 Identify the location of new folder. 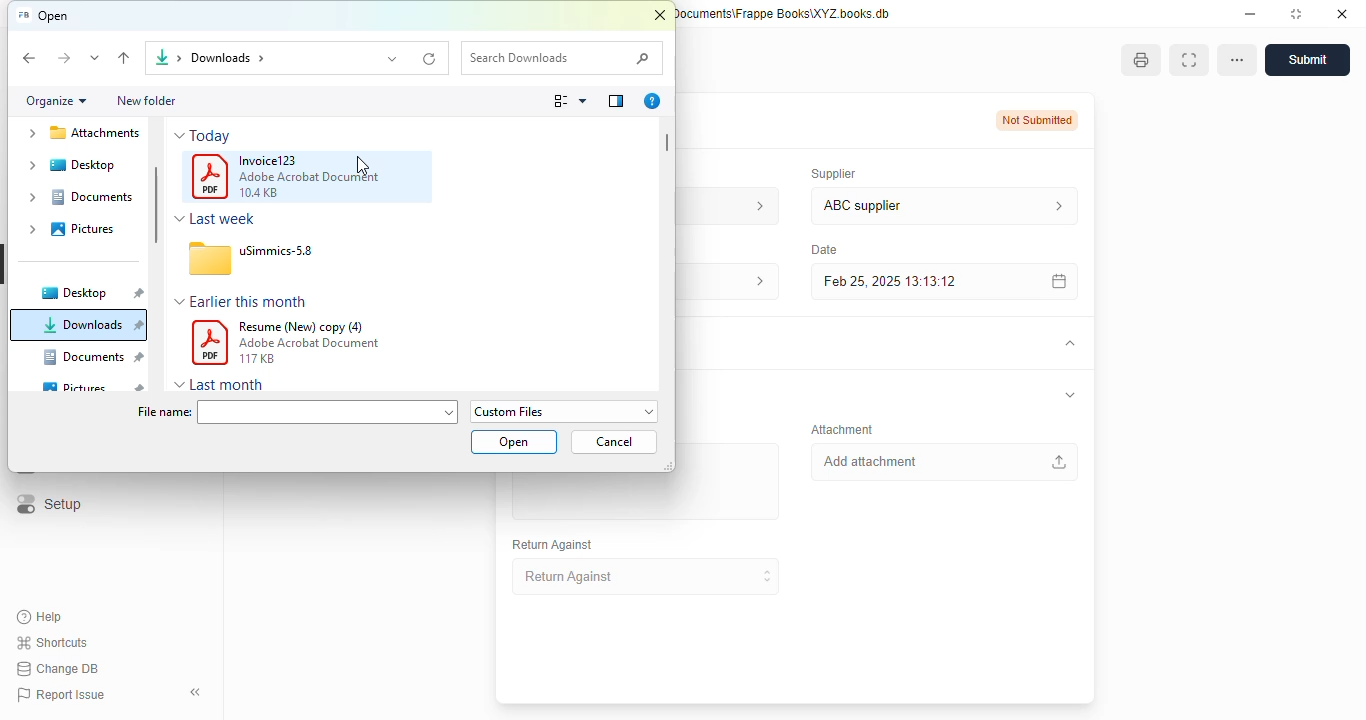
(145, 100).